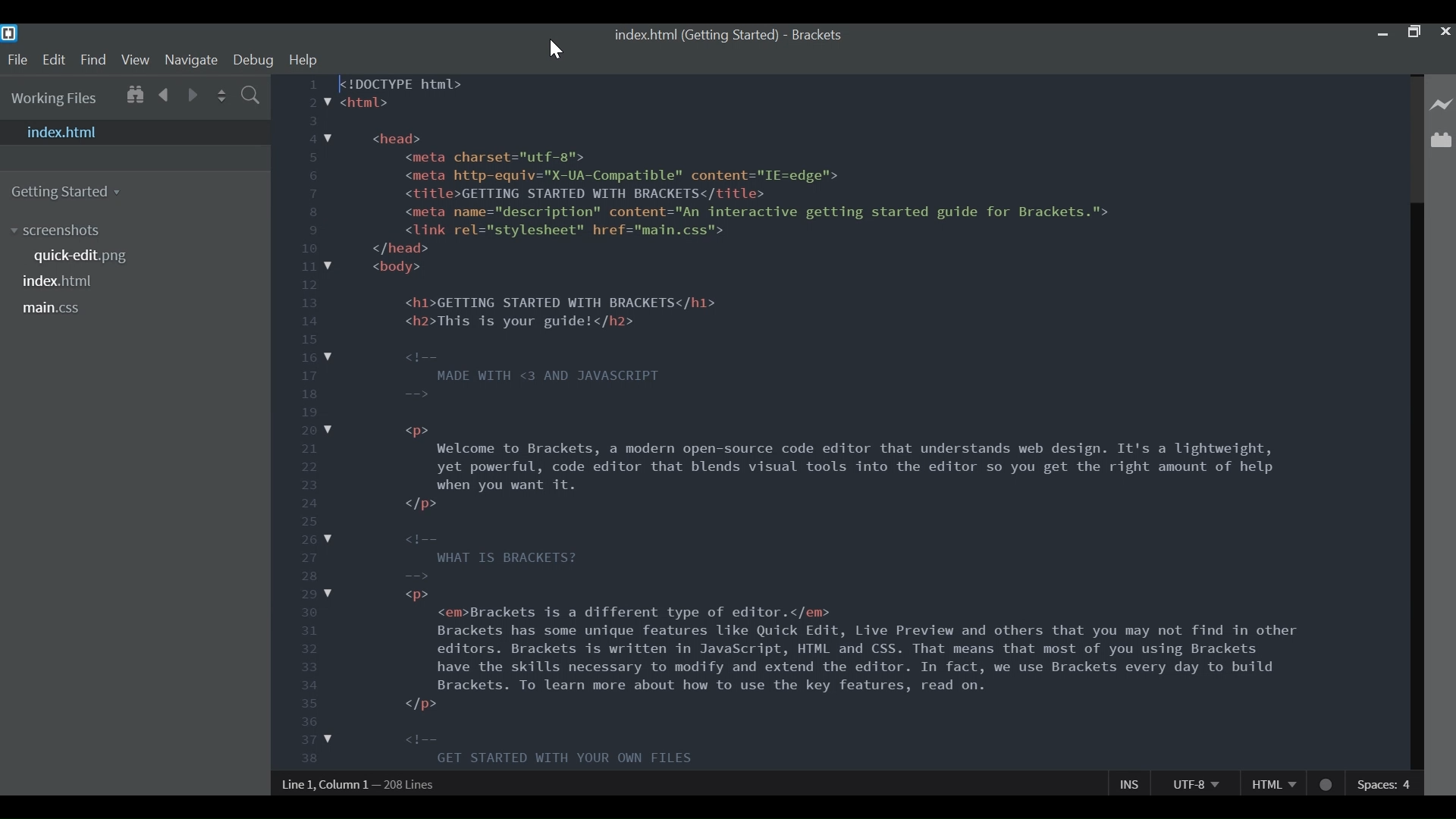 The width and height of the screenshot is (1456, 819). I want to click on Navigate, so click(192, 61).